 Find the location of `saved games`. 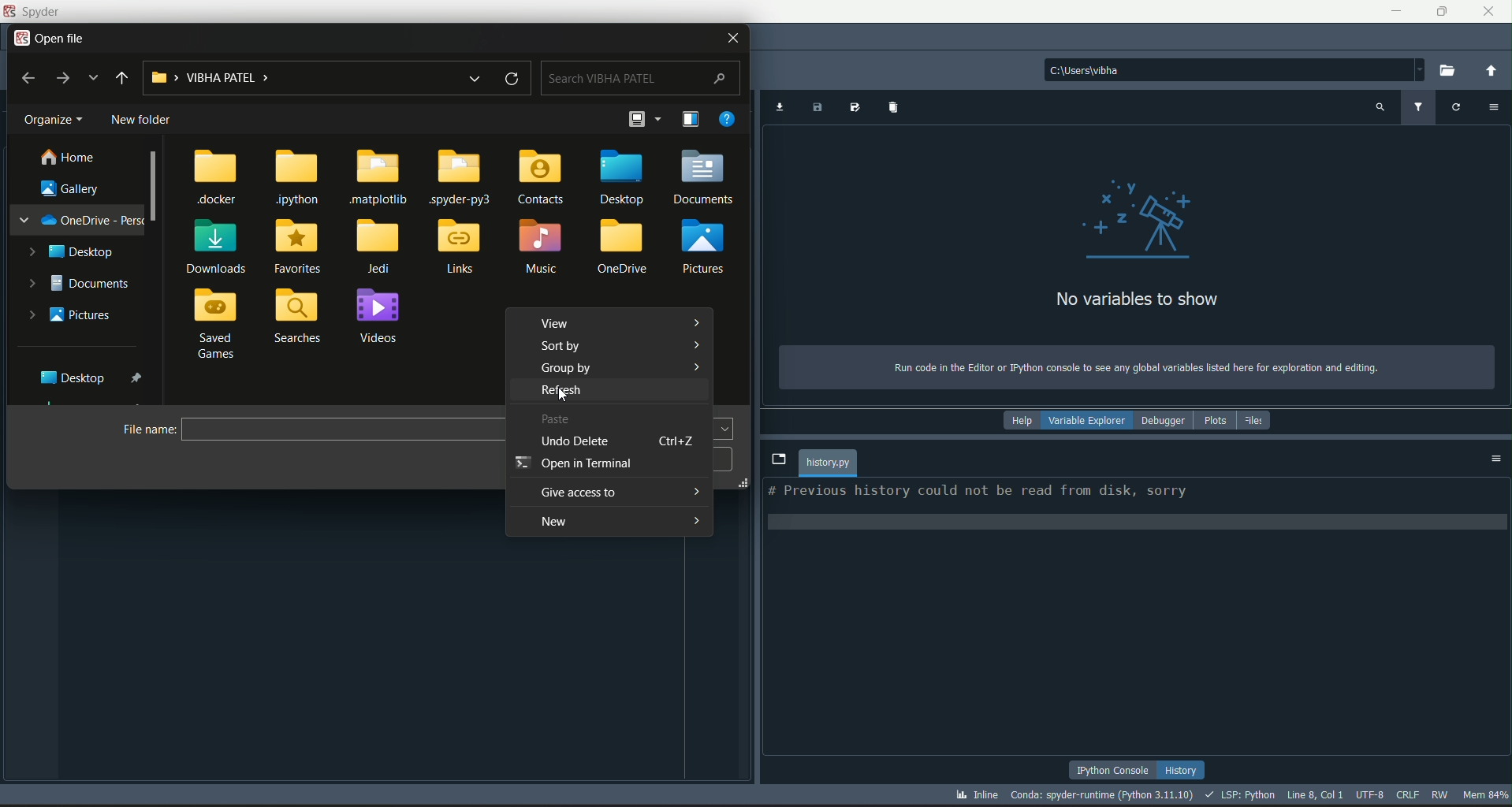

saved games is located at coordinates (218, 325).